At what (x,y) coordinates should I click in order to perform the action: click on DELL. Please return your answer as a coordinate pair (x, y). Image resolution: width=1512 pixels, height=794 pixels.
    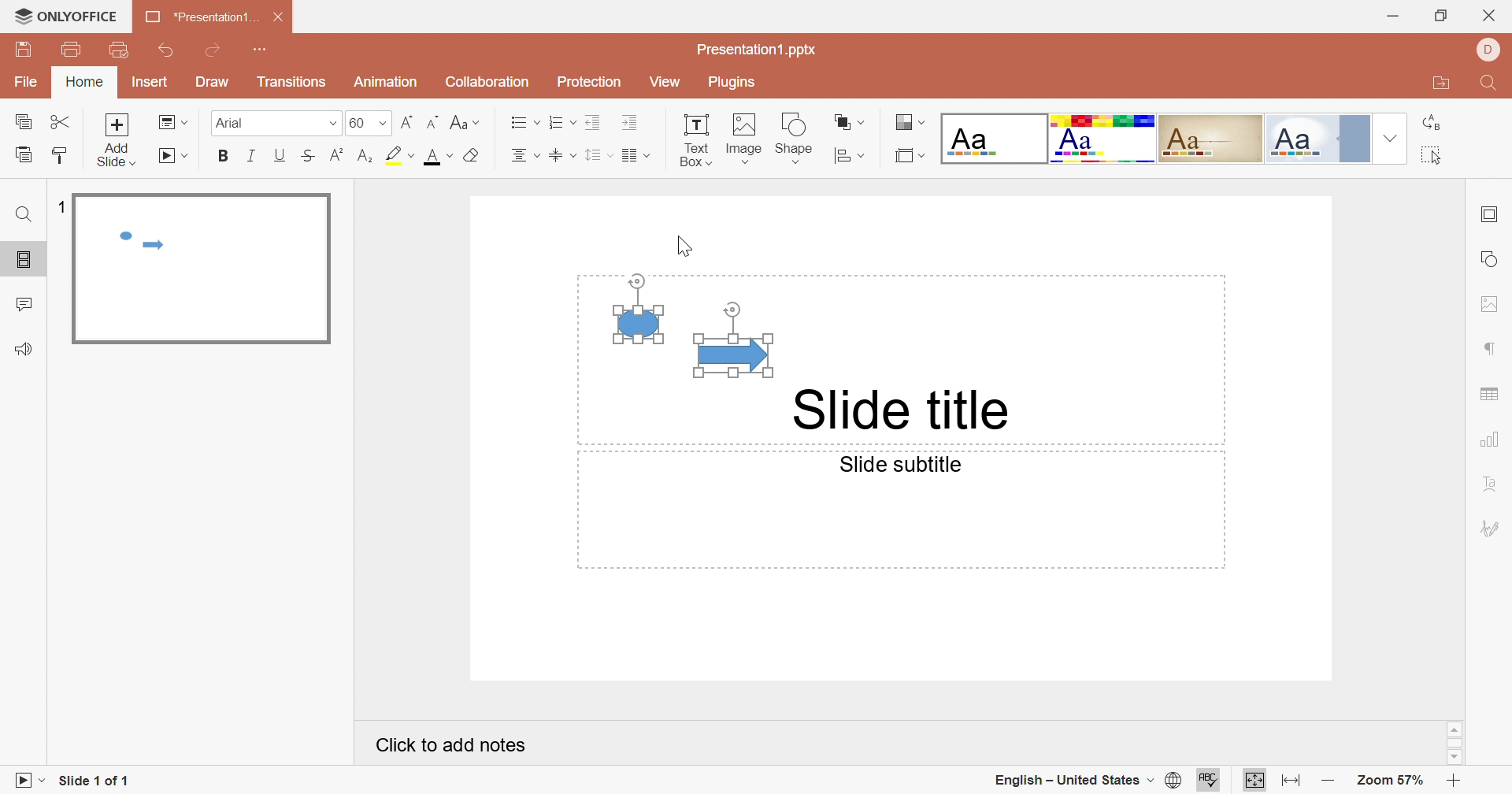
    Looking at the image, I should click on (1491, 50).